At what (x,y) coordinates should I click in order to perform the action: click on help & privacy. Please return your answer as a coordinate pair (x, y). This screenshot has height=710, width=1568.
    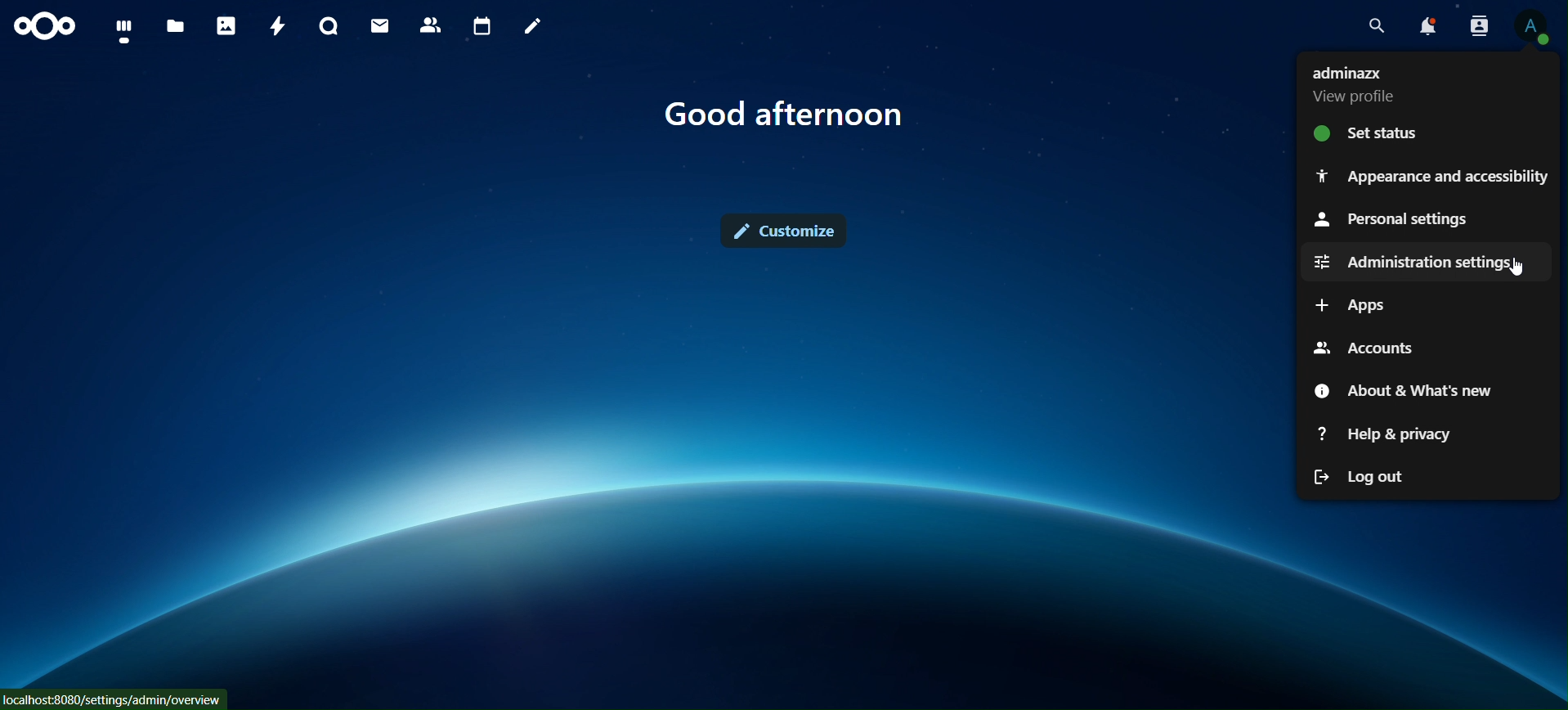
    Looking at the image, I should click on (1387, 432).